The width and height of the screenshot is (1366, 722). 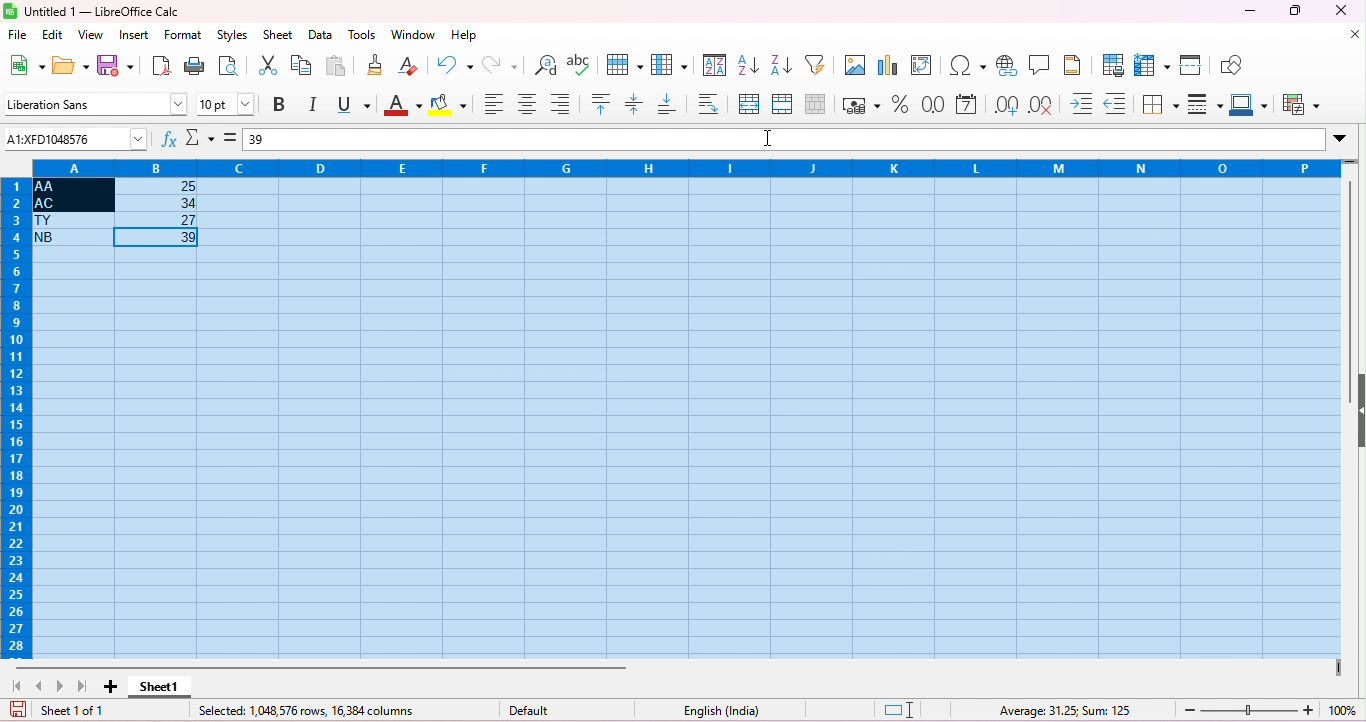 I want to click on clear direct formatting, so click(x=408, y=64).